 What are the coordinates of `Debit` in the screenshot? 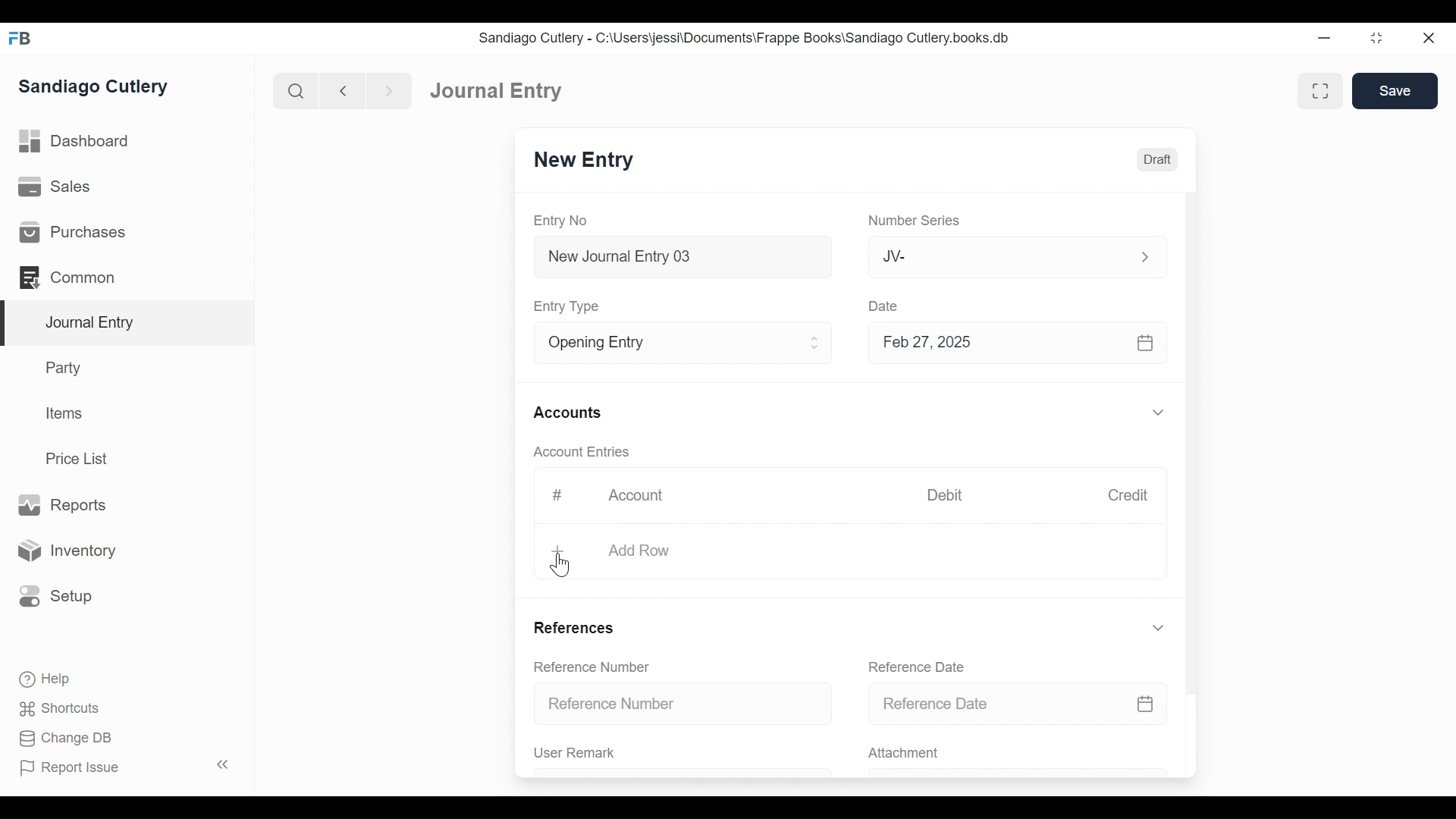 It's located at (946, 494).